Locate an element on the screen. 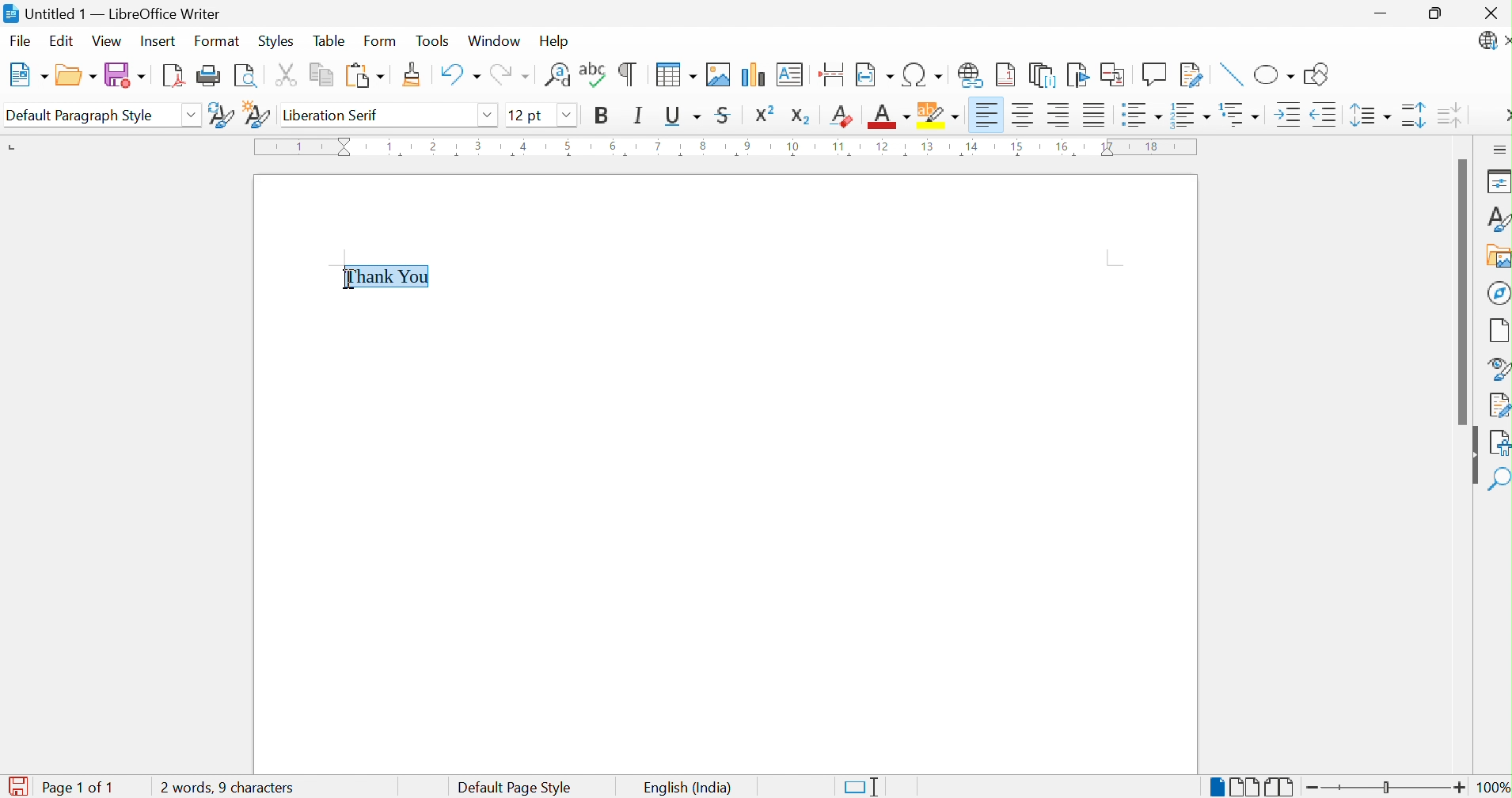  Italic is located at coordinates (642, 115).